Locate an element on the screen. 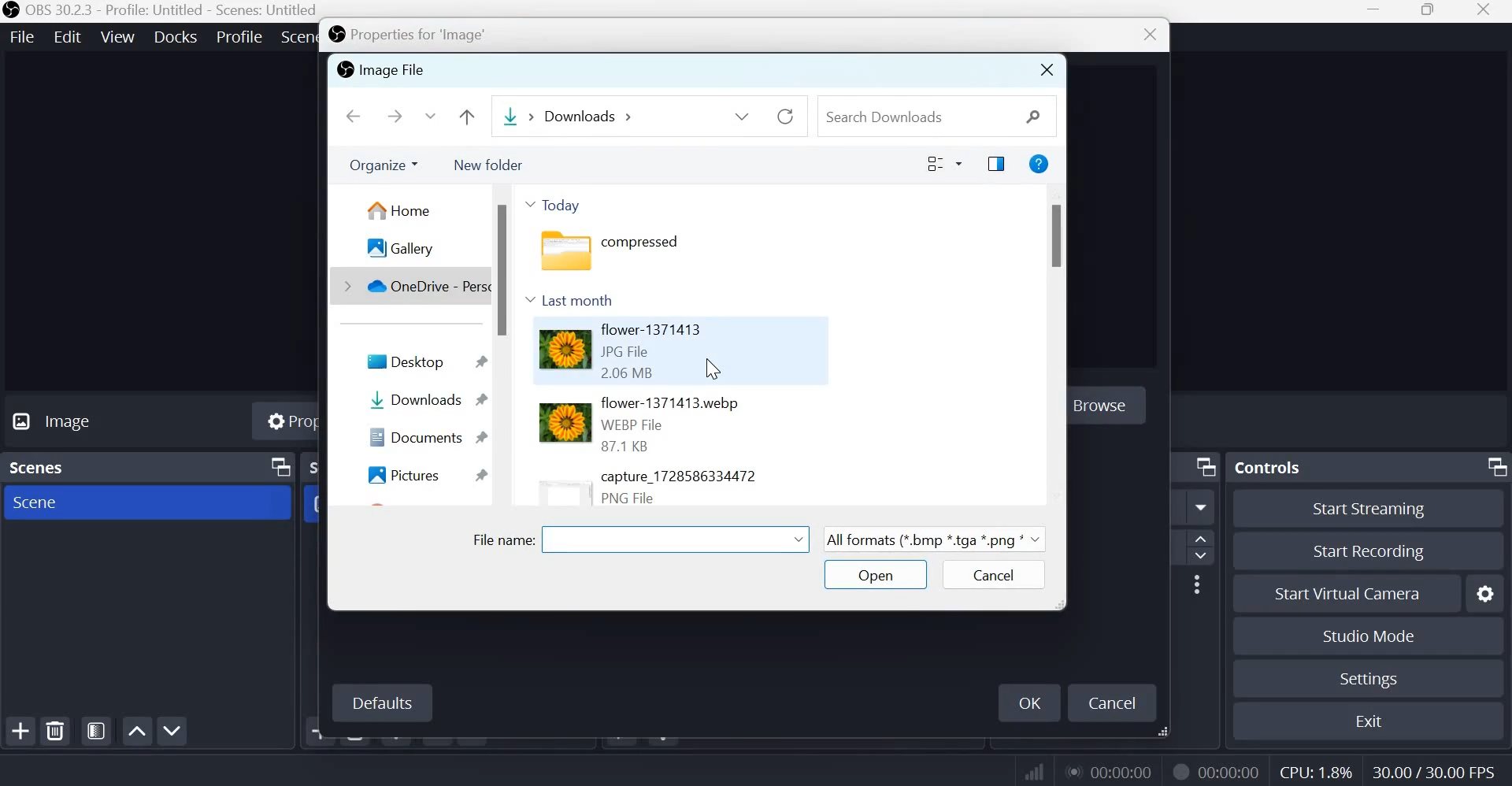 The height and width of the screenshot is (786, 1512). Today is located at coordinates (555, 205).